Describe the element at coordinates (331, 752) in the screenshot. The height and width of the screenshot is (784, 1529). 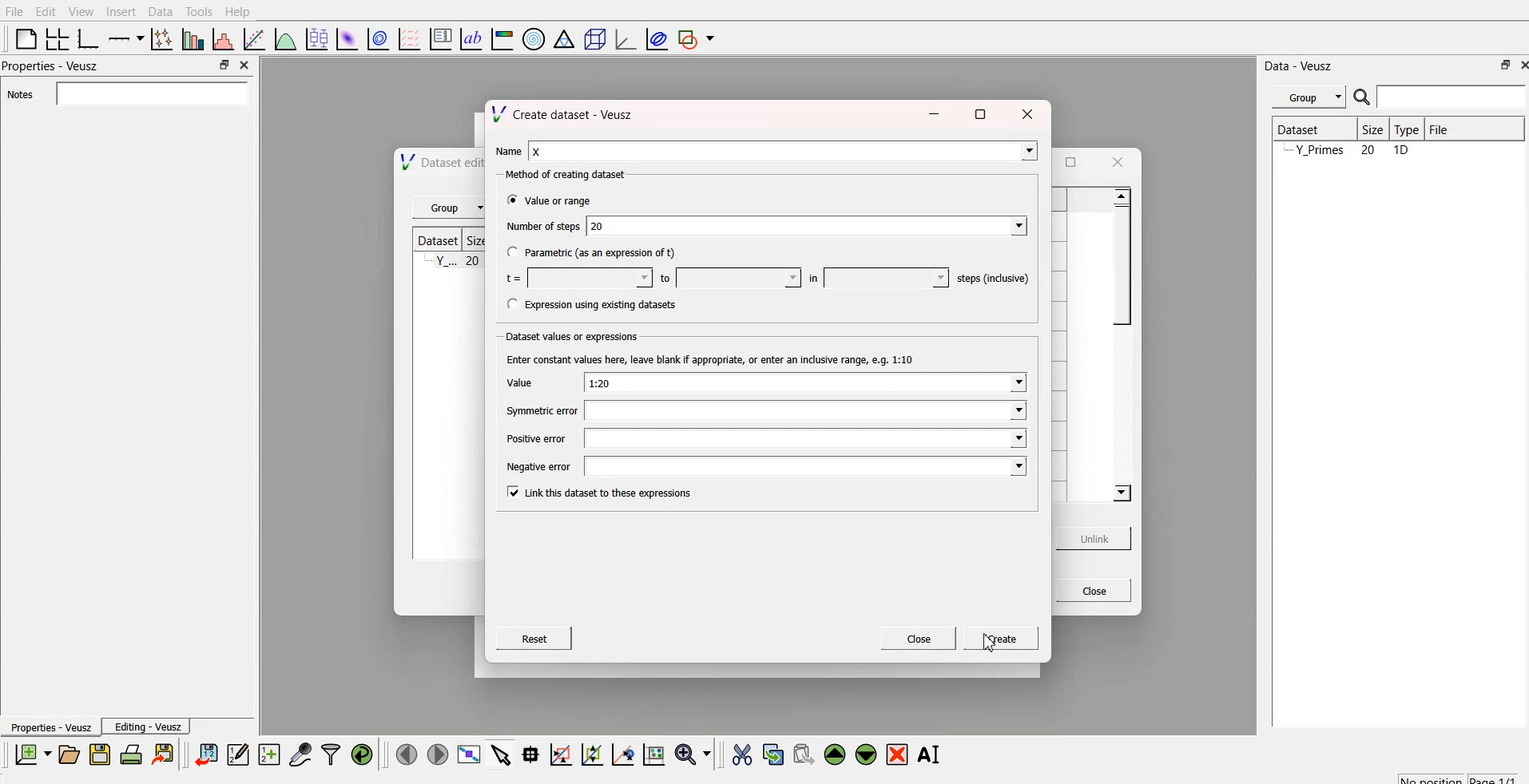
I see `filter data` at that location.